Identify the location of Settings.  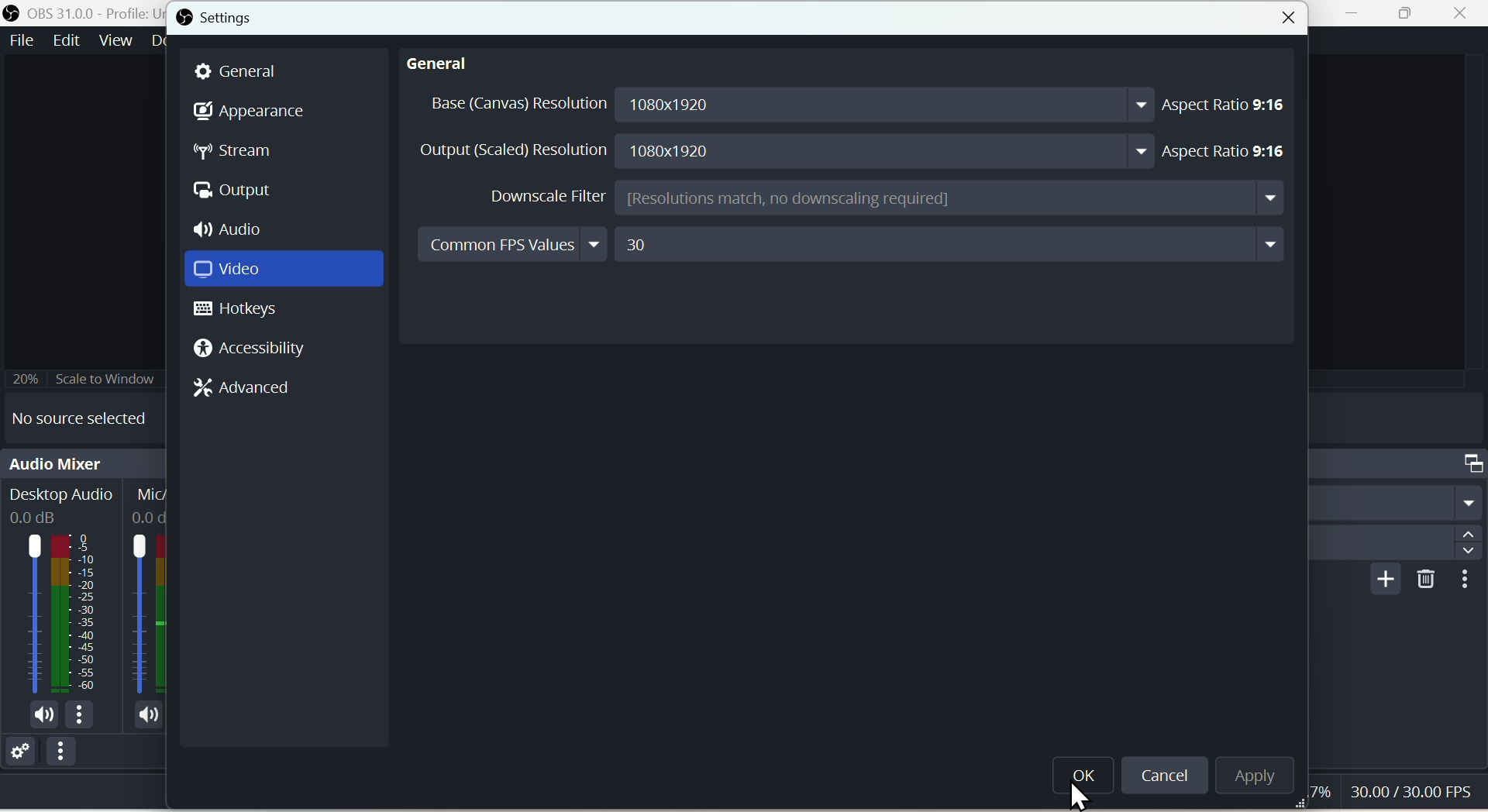
(18, 749).